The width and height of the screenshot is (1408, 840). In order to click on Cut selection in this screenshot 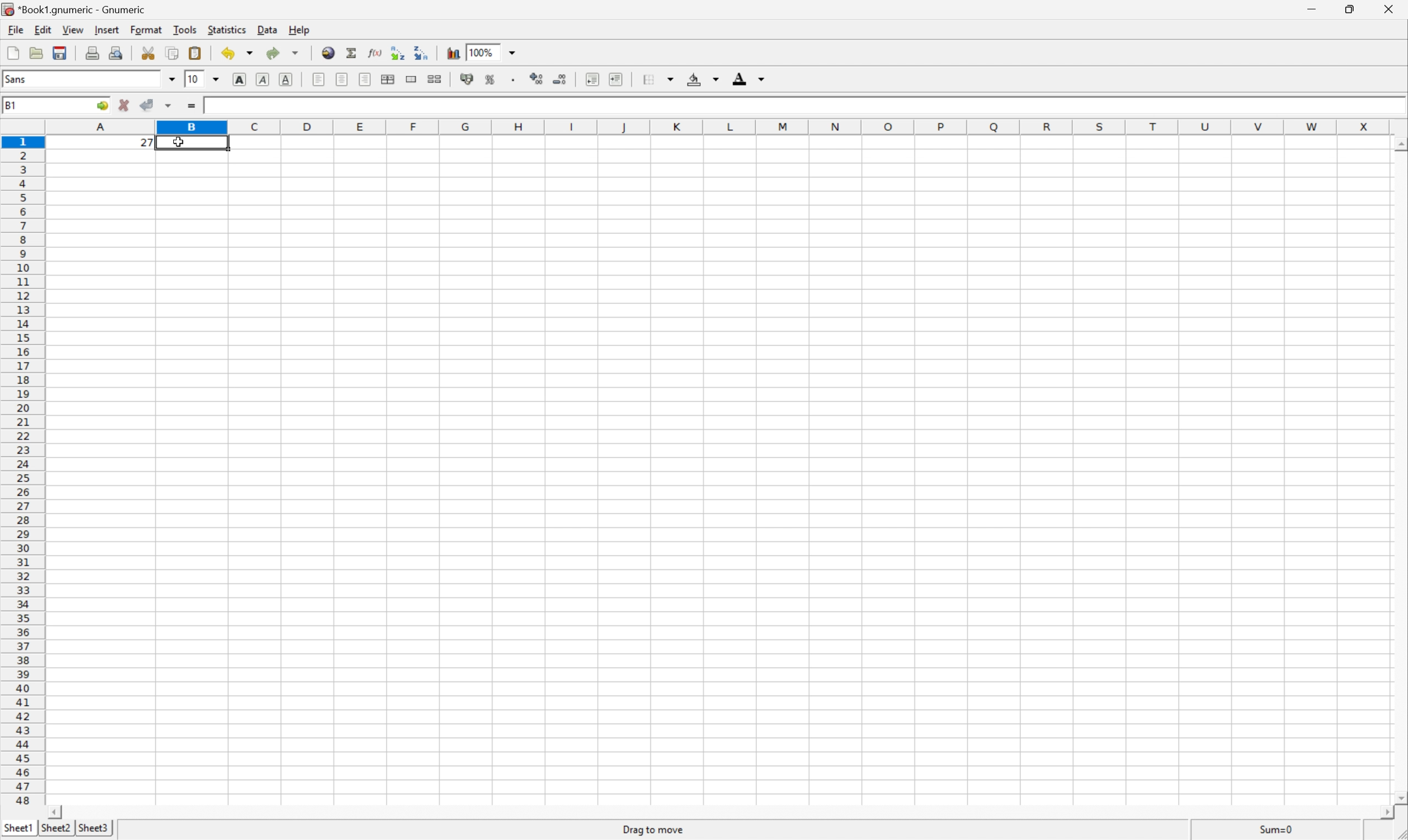, I will do `click(151, 52)`.